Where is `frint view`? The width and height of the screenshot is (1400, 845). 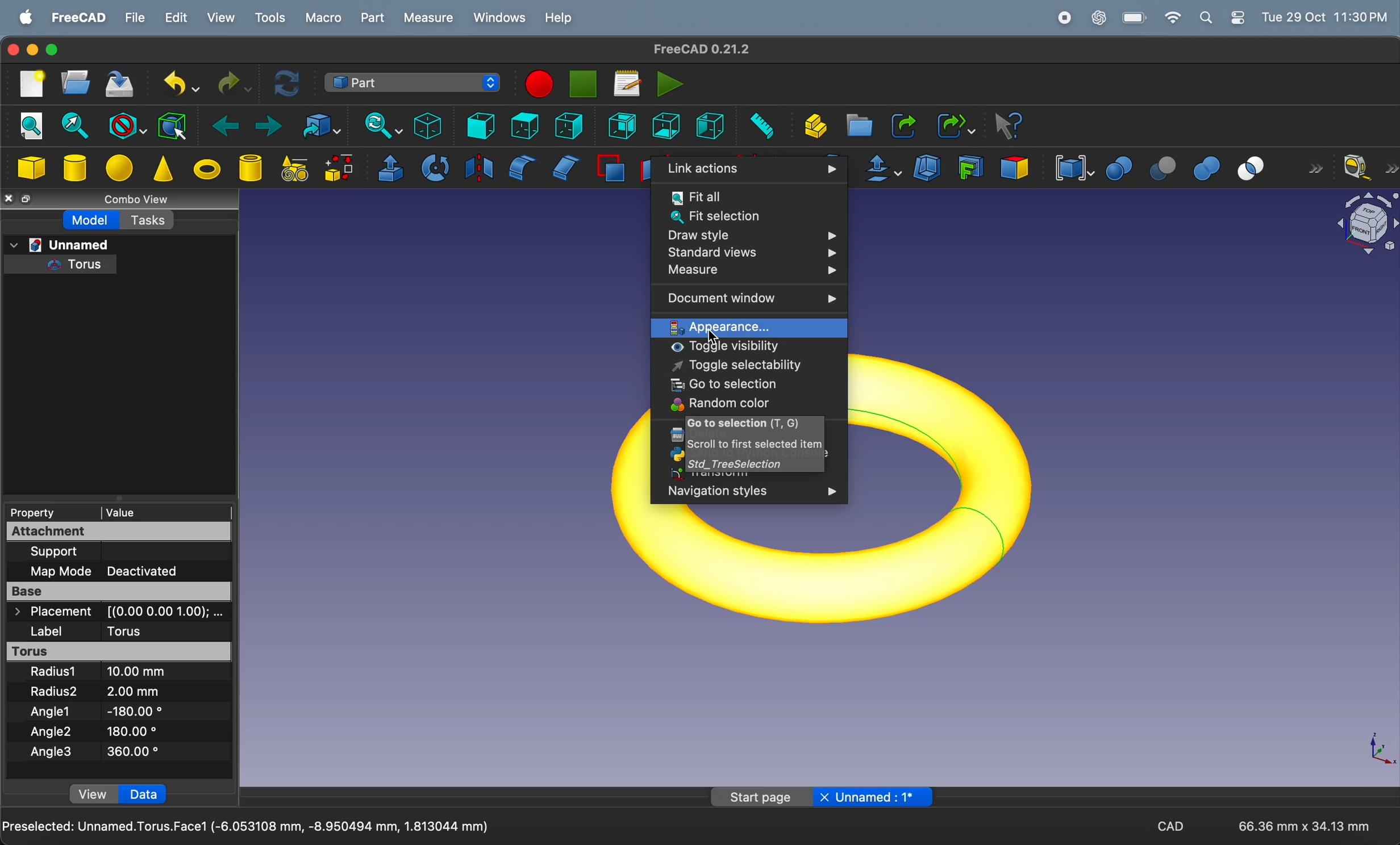 frint view is located at coordinates (476, 126).